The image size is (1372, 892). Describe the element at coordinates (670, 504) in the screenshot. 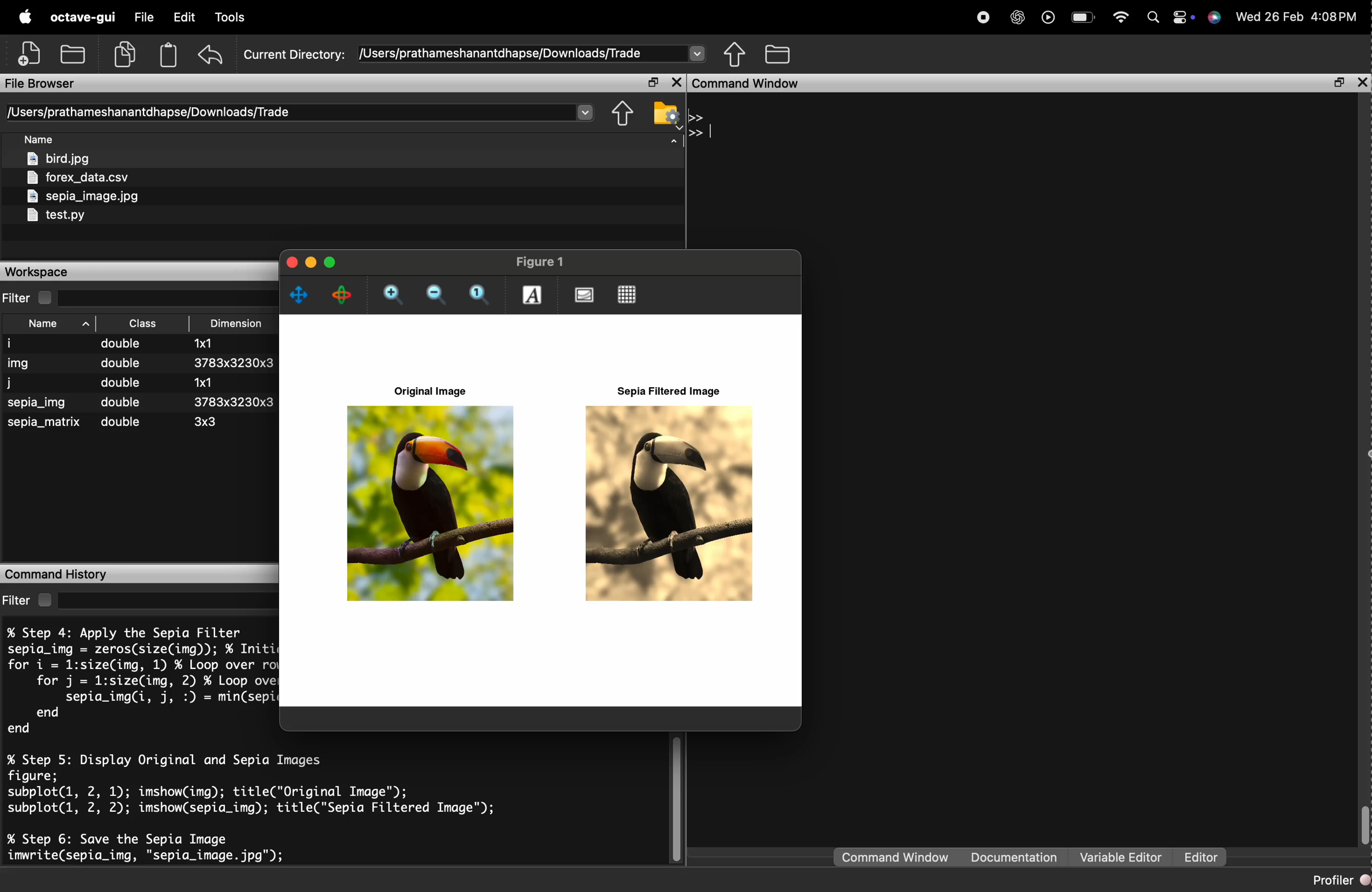

I see `Sepia Filtered Image` at that location.